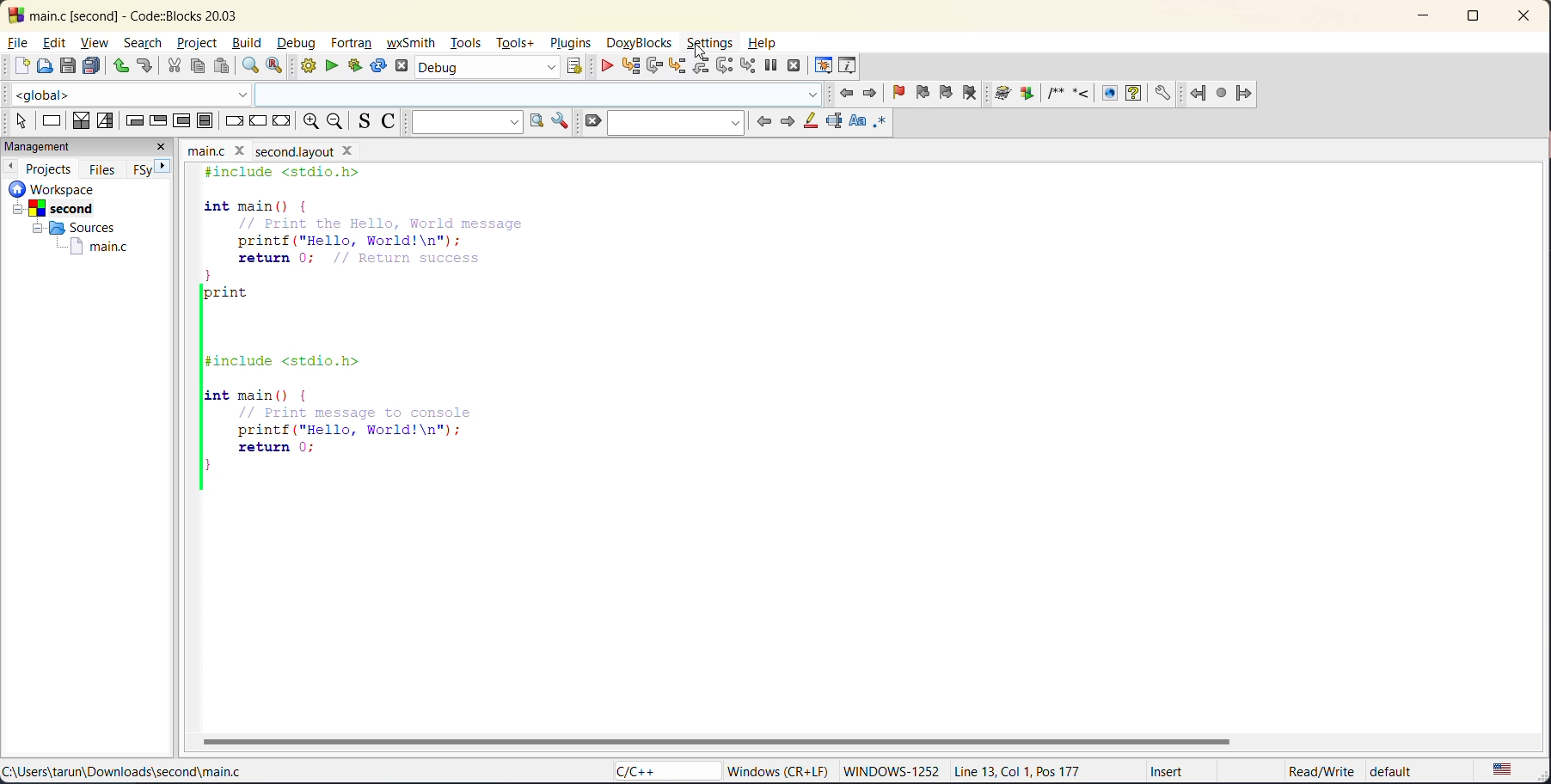  What do you see at coordinates (94, 65) in the screenshot?
I see `save everything` at bounding box center [94, 65].